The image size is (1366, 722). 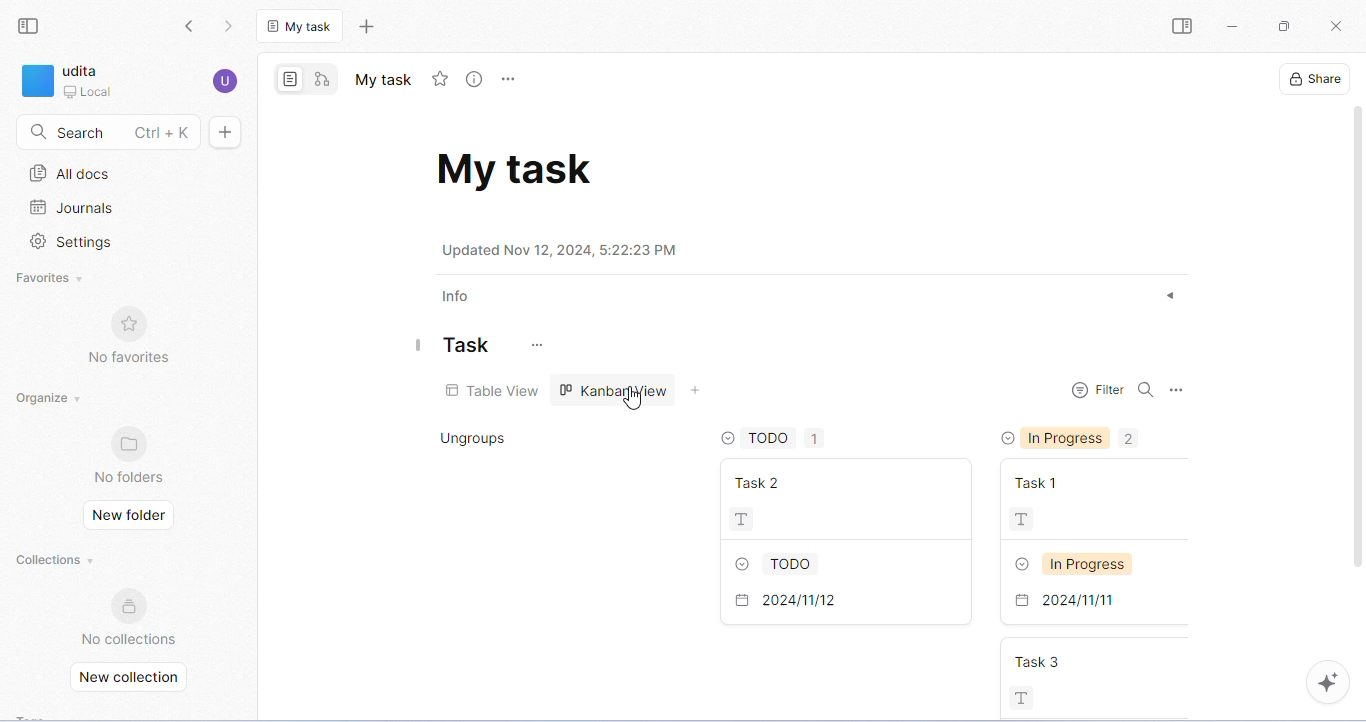 I want to click on close, so click(x=1334, y=24).